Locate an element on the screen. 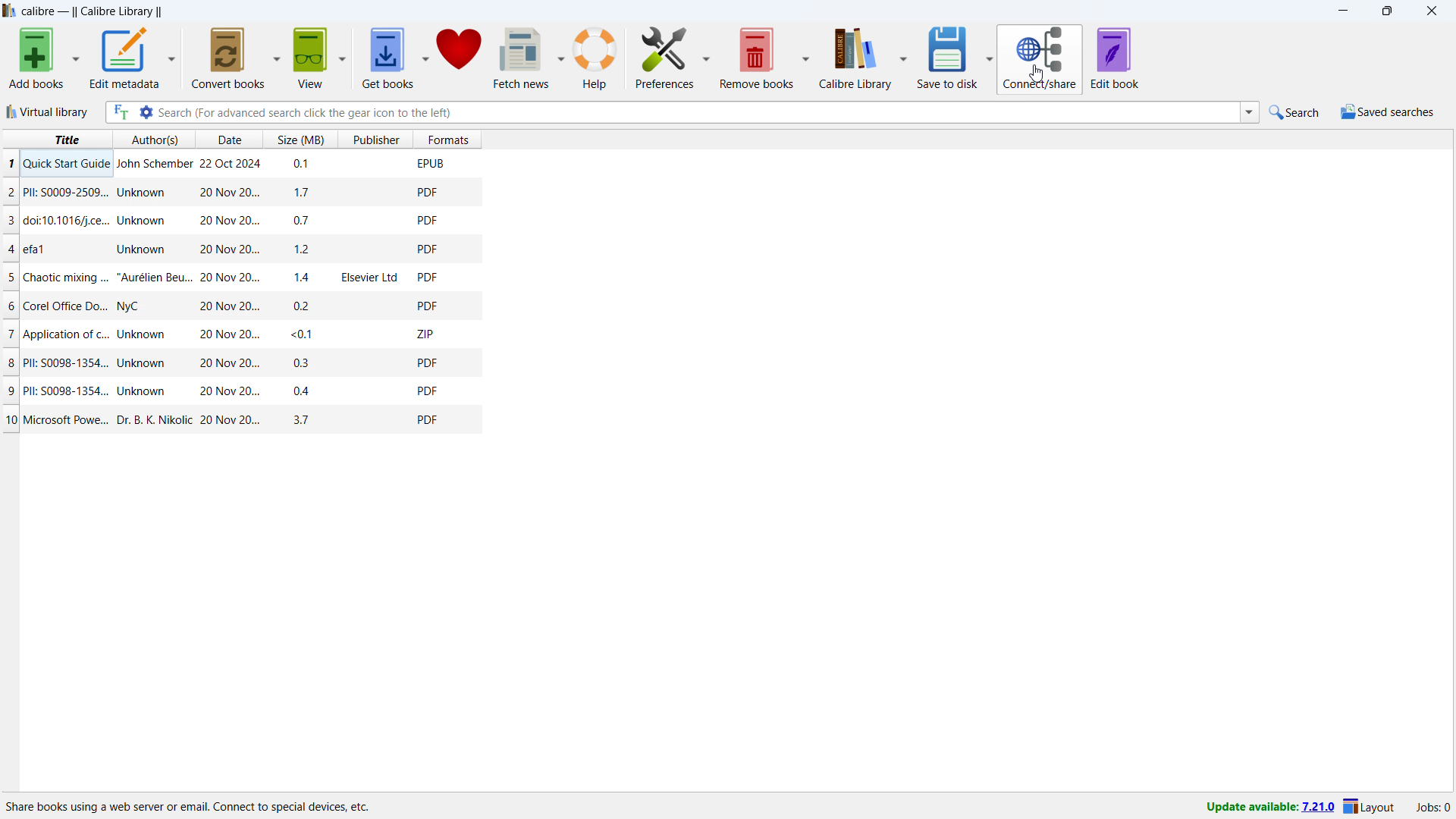 The height and width of the screenshot is (819, 1456). calibre library options is located at coordinates (904, 58).